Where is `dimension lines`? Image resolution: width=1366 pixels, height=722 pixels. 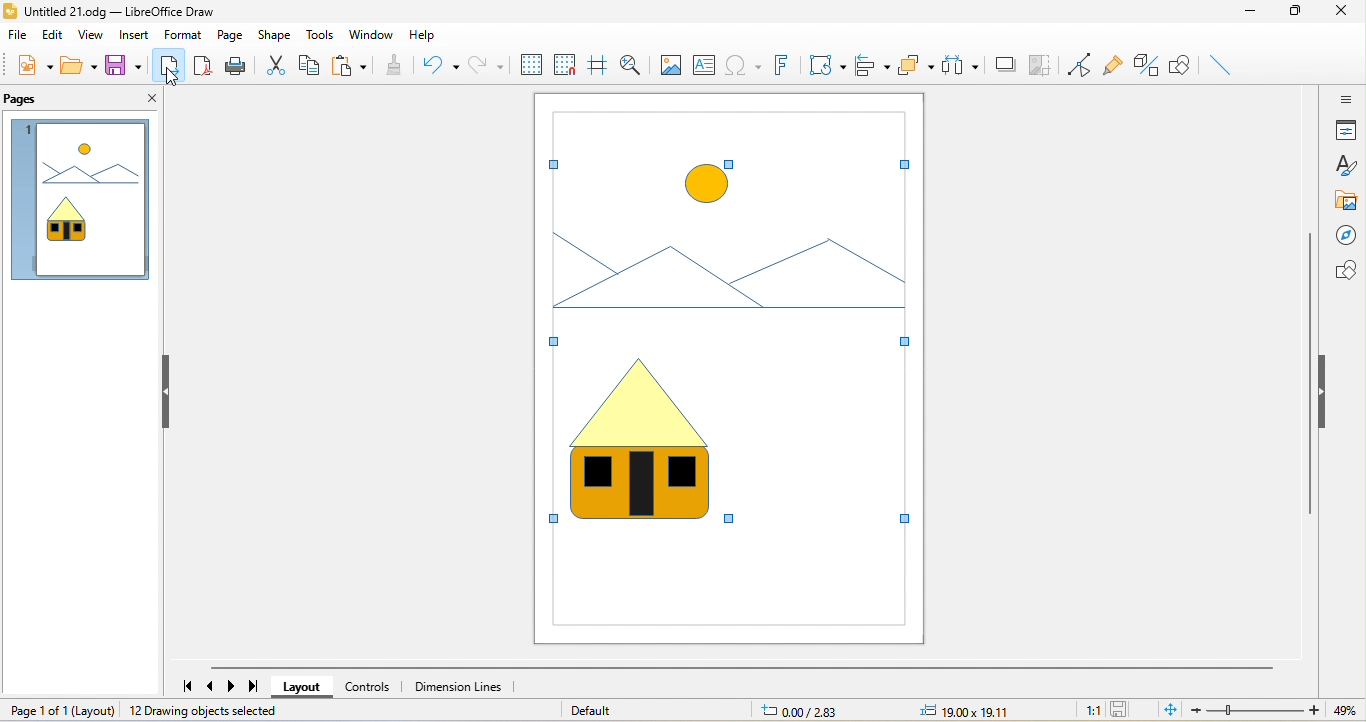 dimension lines is located at coordinates (459, 686).